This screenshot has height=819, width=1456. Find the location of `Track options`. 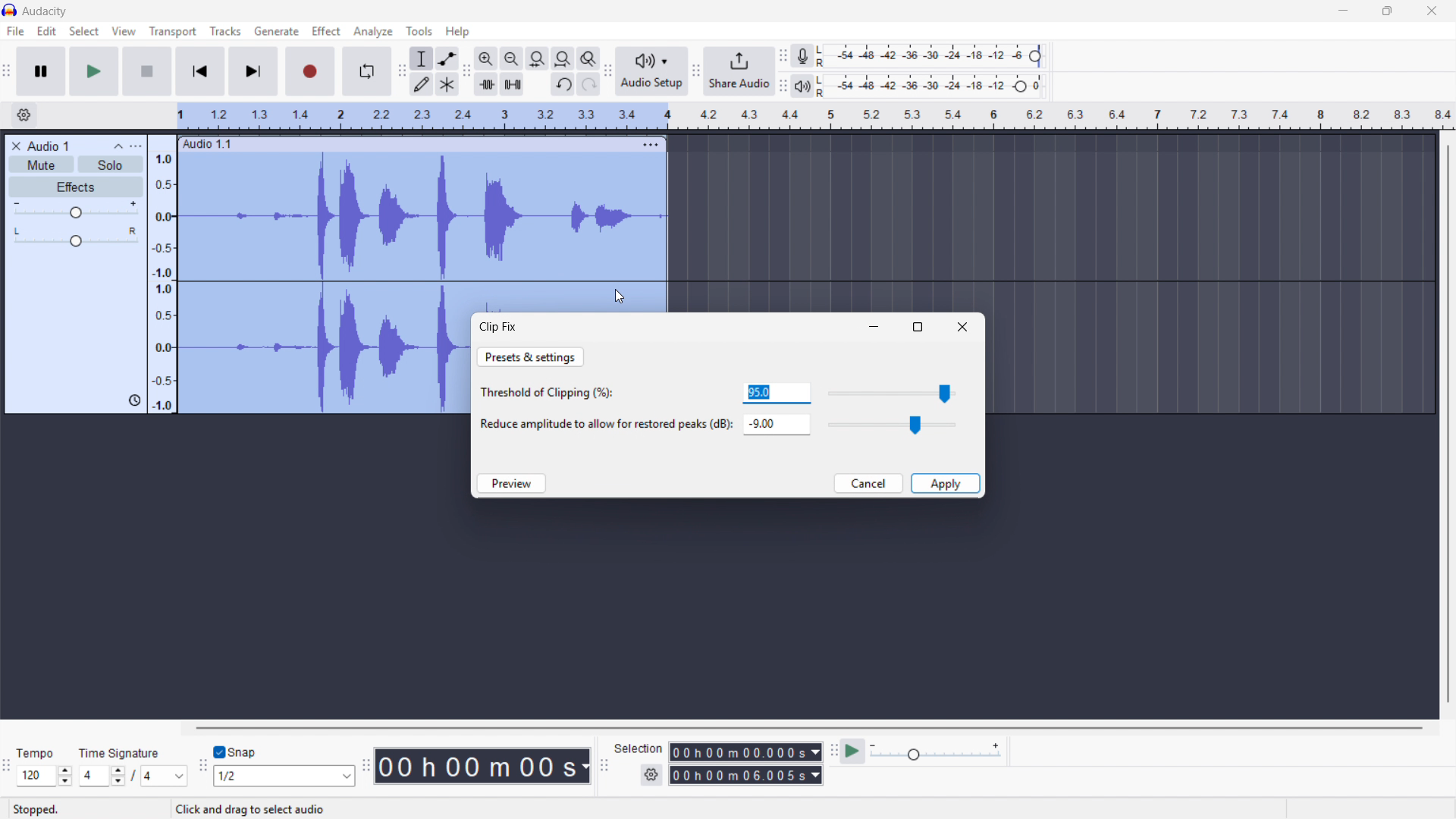

Track options is located at coordinates (649, 143).